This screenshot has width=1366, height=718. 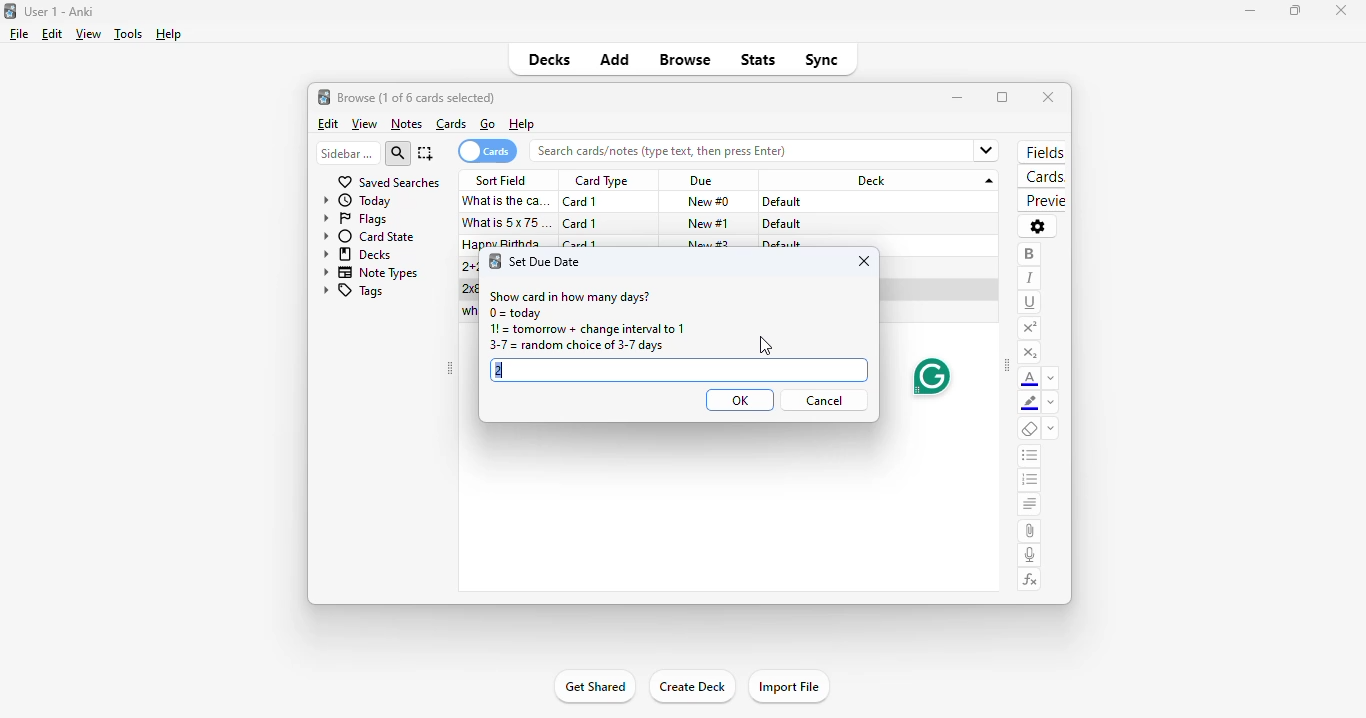 I want to click on 1! = tomorrow + change interval to 1, so click(x=586, y=329).